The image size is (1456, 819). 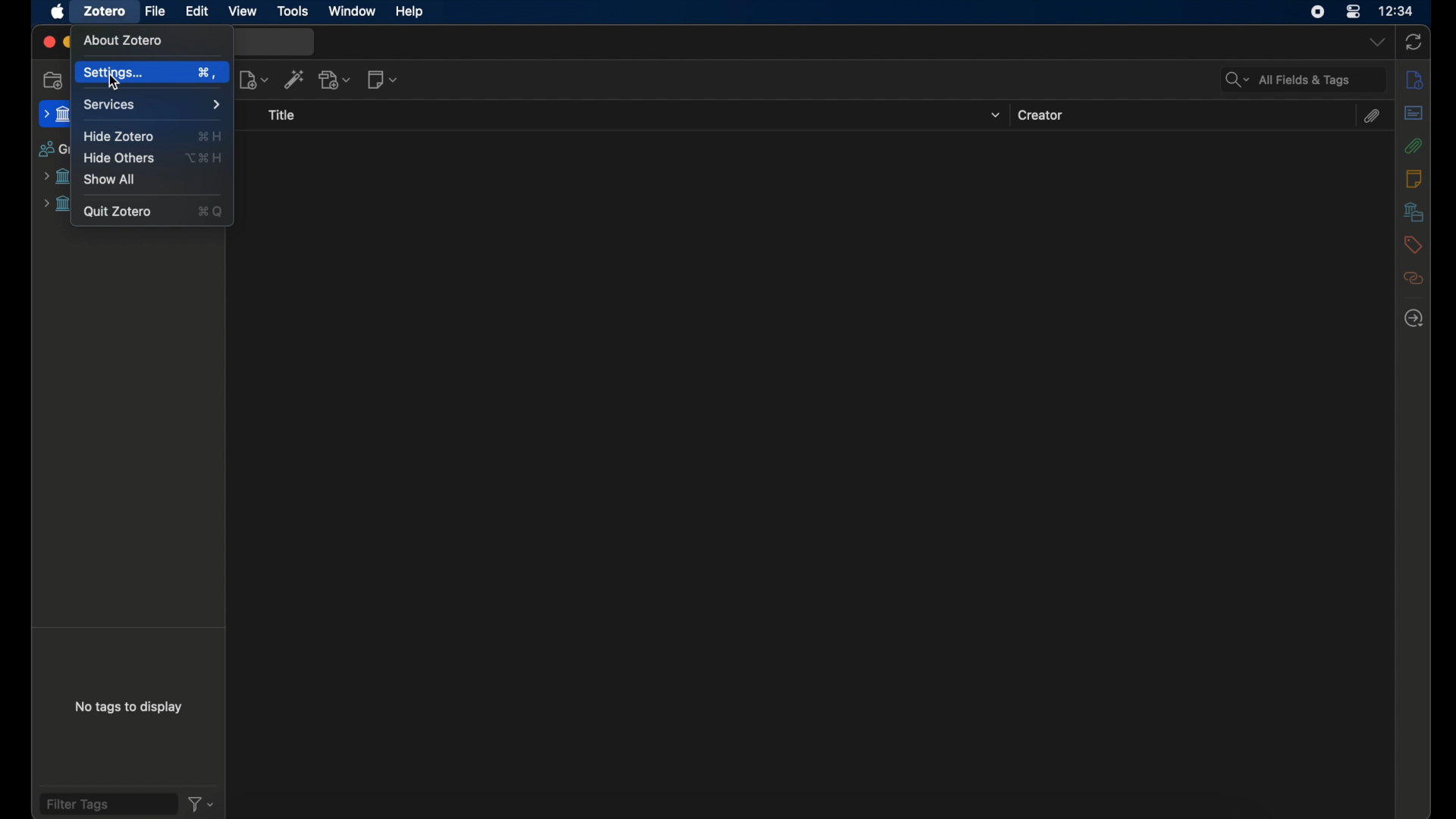 What do you see at coordinates (411, 12) in the screenshot?
I see `help` at bounding box center [411, 12].